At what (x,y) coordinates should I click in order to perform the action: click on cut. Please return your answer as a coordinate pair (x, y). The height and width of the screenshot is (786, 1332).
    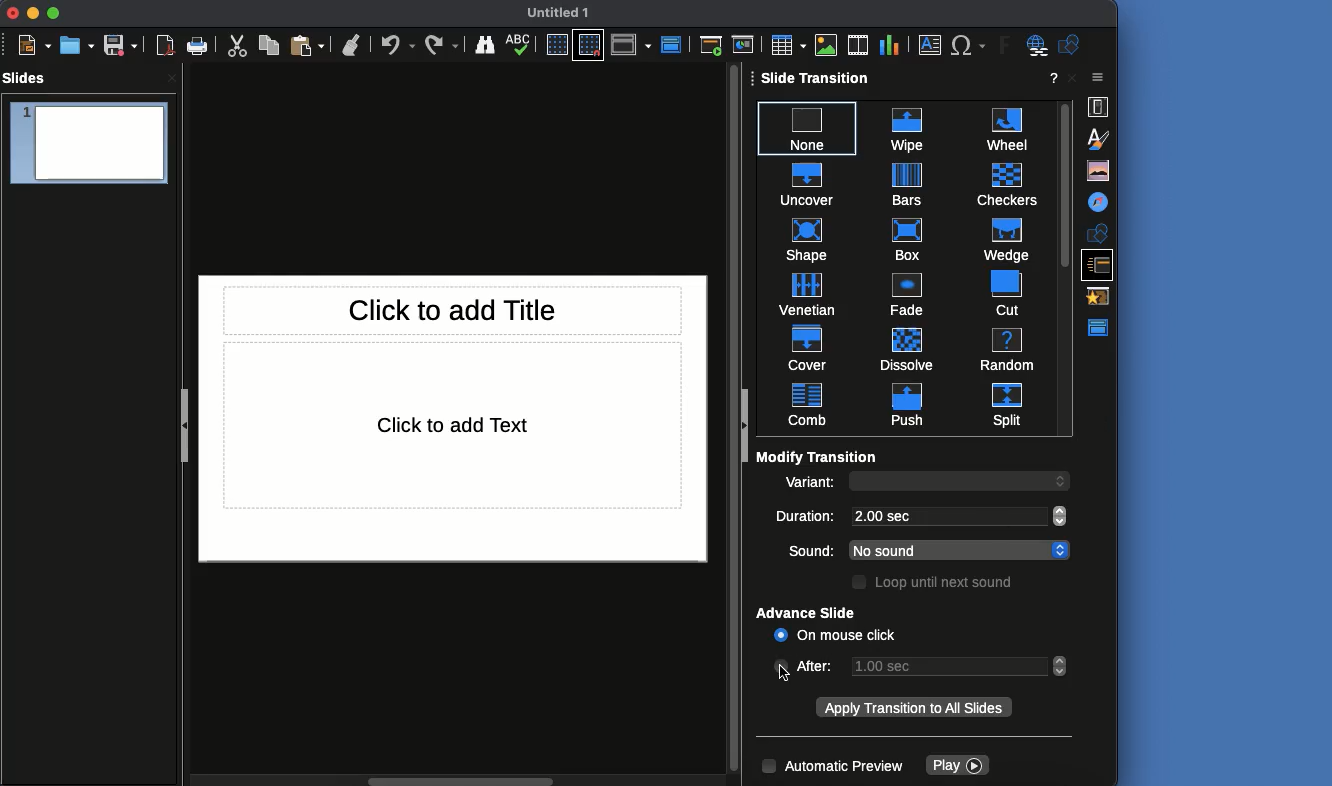
    Looking at the image, I should click on (997, 291).